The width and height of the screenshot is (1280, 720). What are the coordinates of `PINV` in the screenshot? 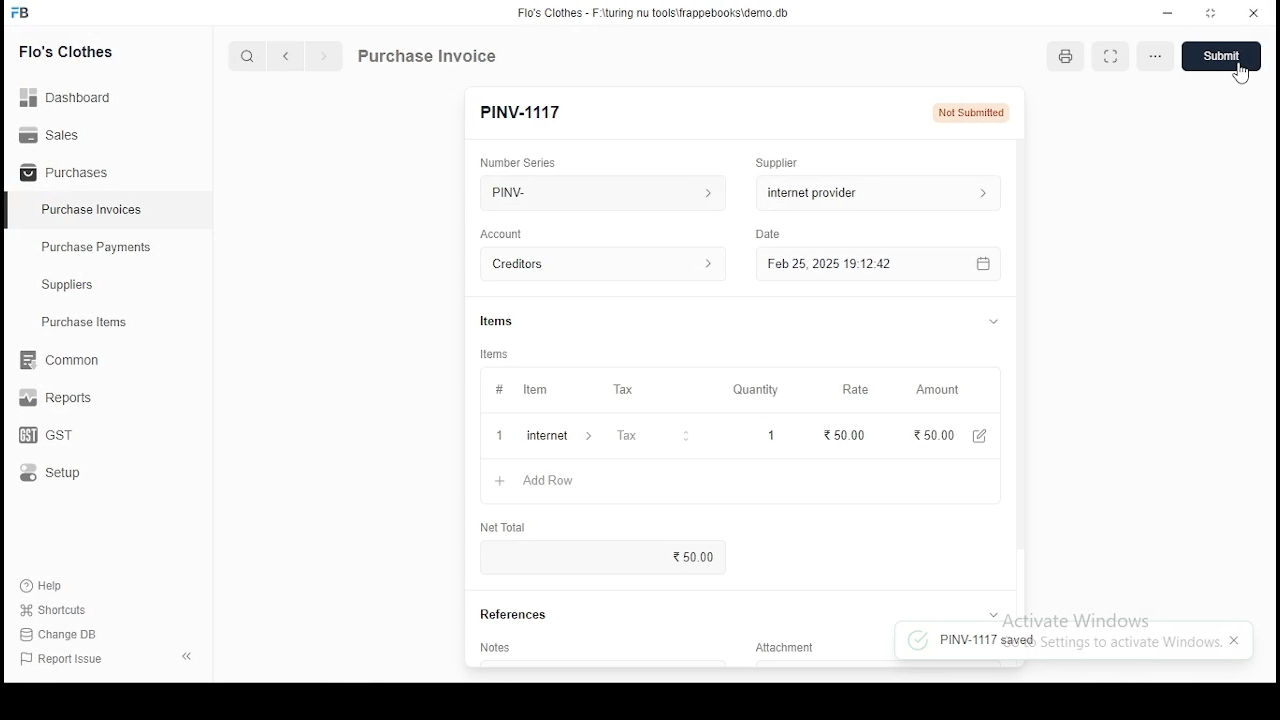 It's located at (603, 190).